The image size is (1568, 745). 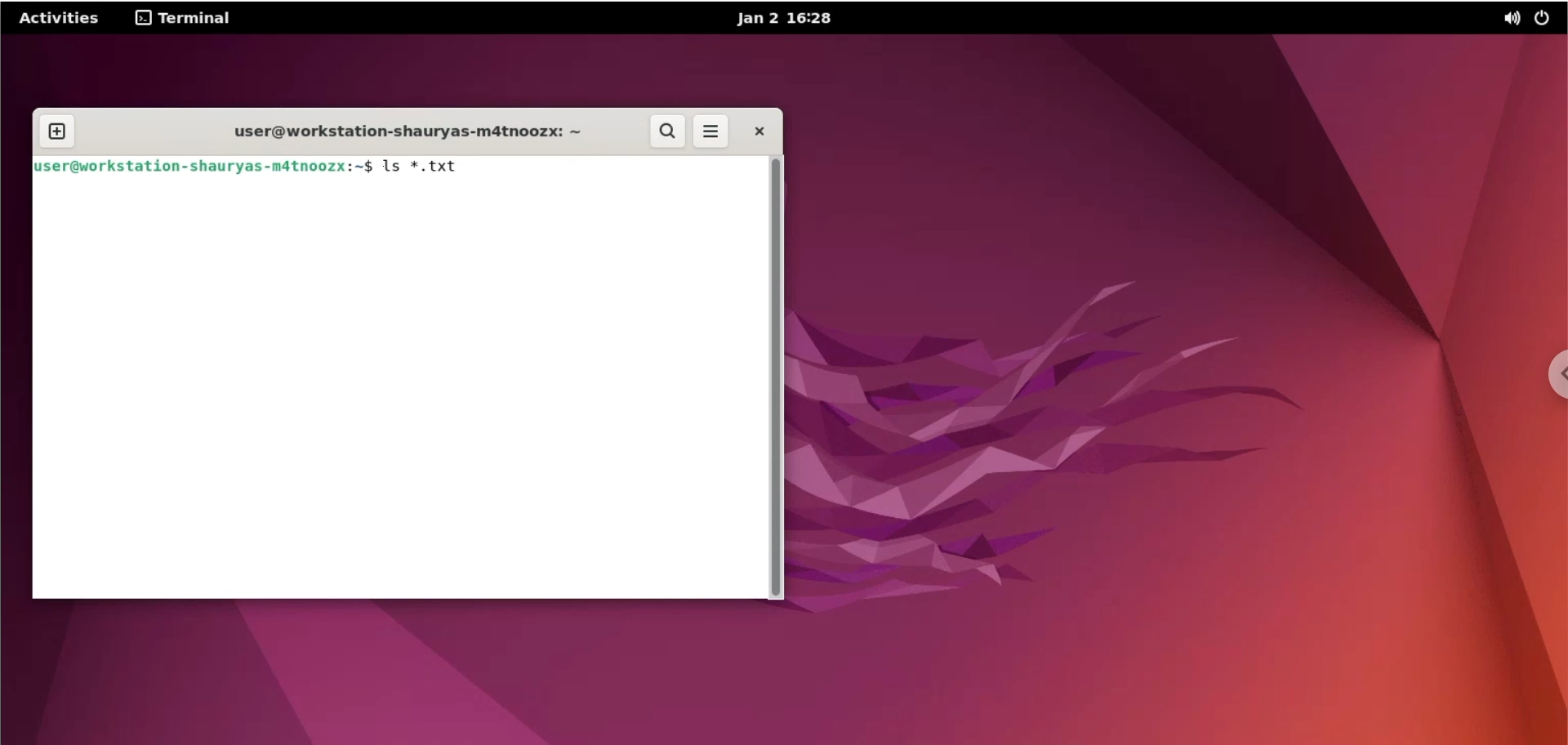 I want to click on Activities, so click(x=61, y=20).